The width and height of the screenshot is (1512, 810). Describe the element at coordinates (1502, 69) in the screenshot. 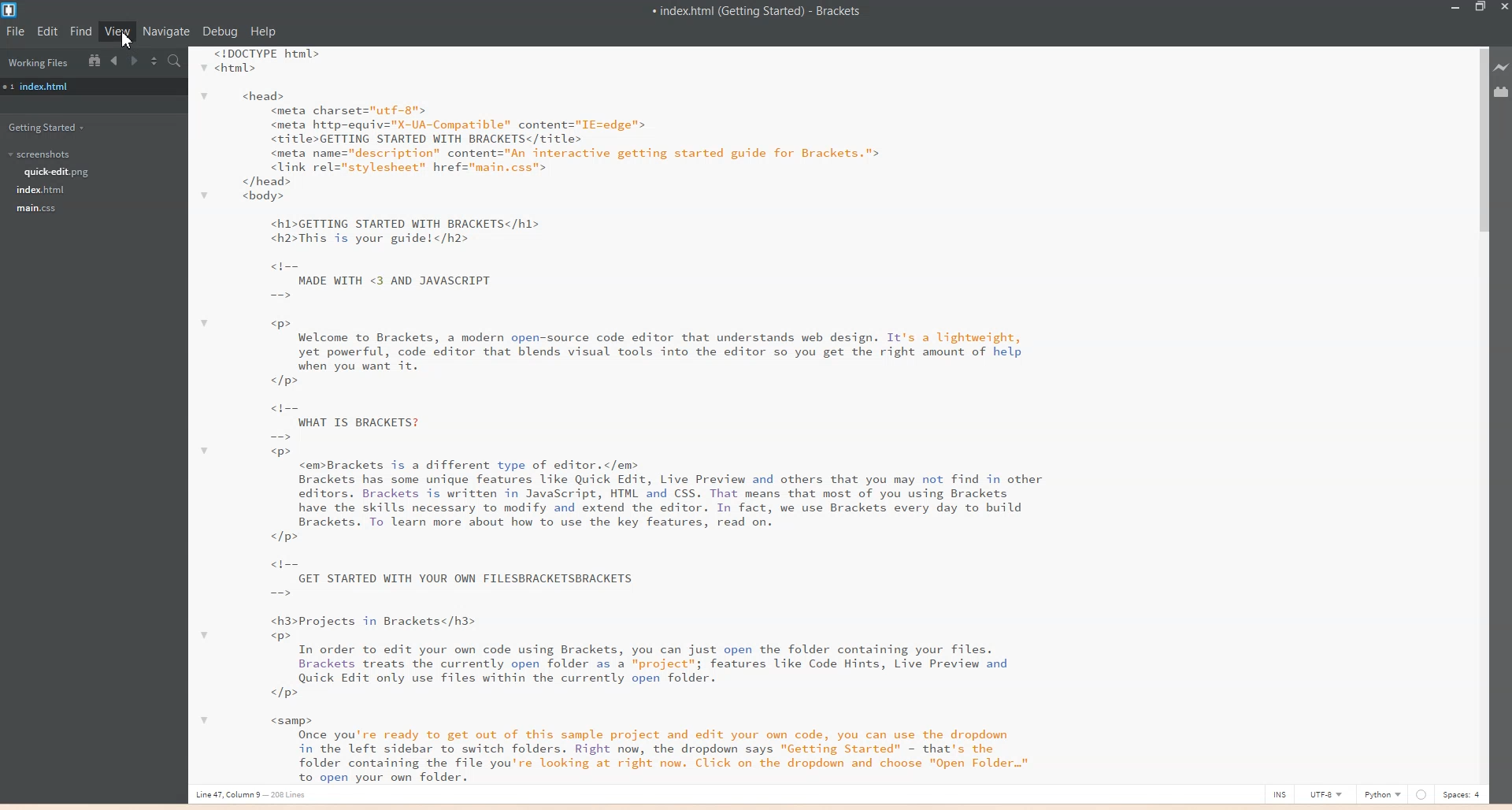

I see `Live preview` at that location.